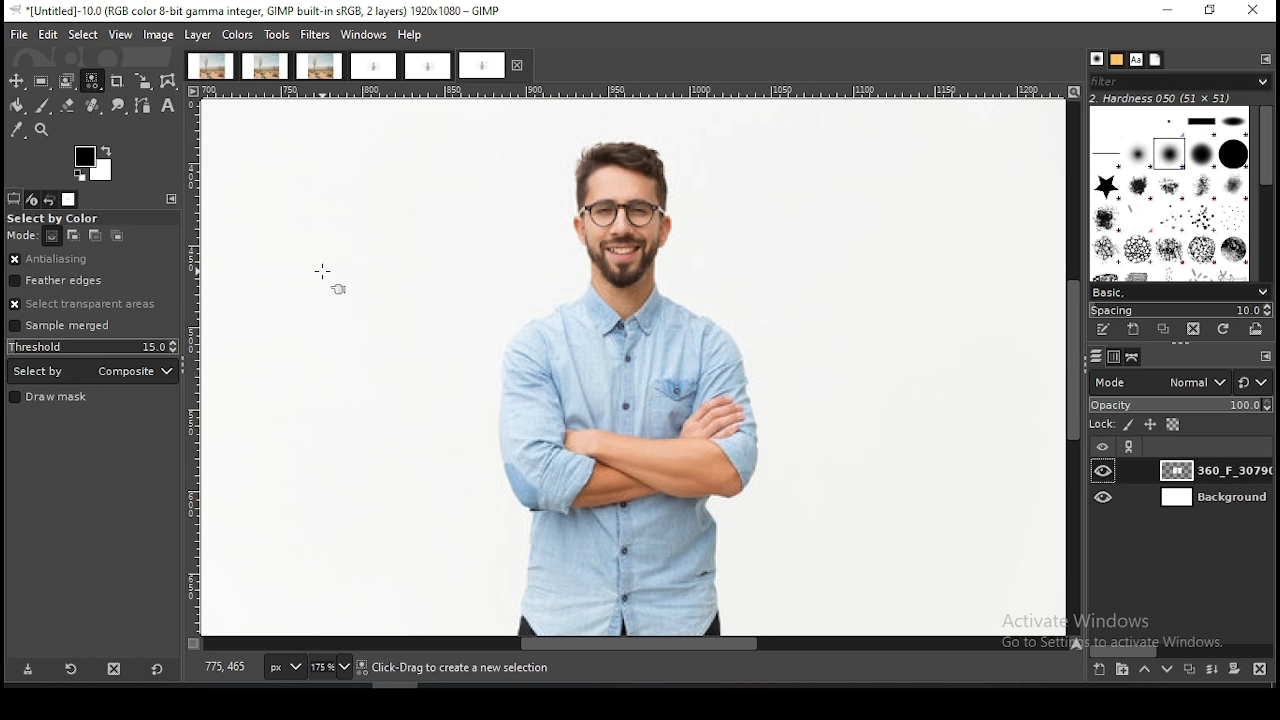 The width and height of the screenshot is (1280, 720). Describe the element at coordinates (1130, 447) in the screenshot. I see `link` at that location.